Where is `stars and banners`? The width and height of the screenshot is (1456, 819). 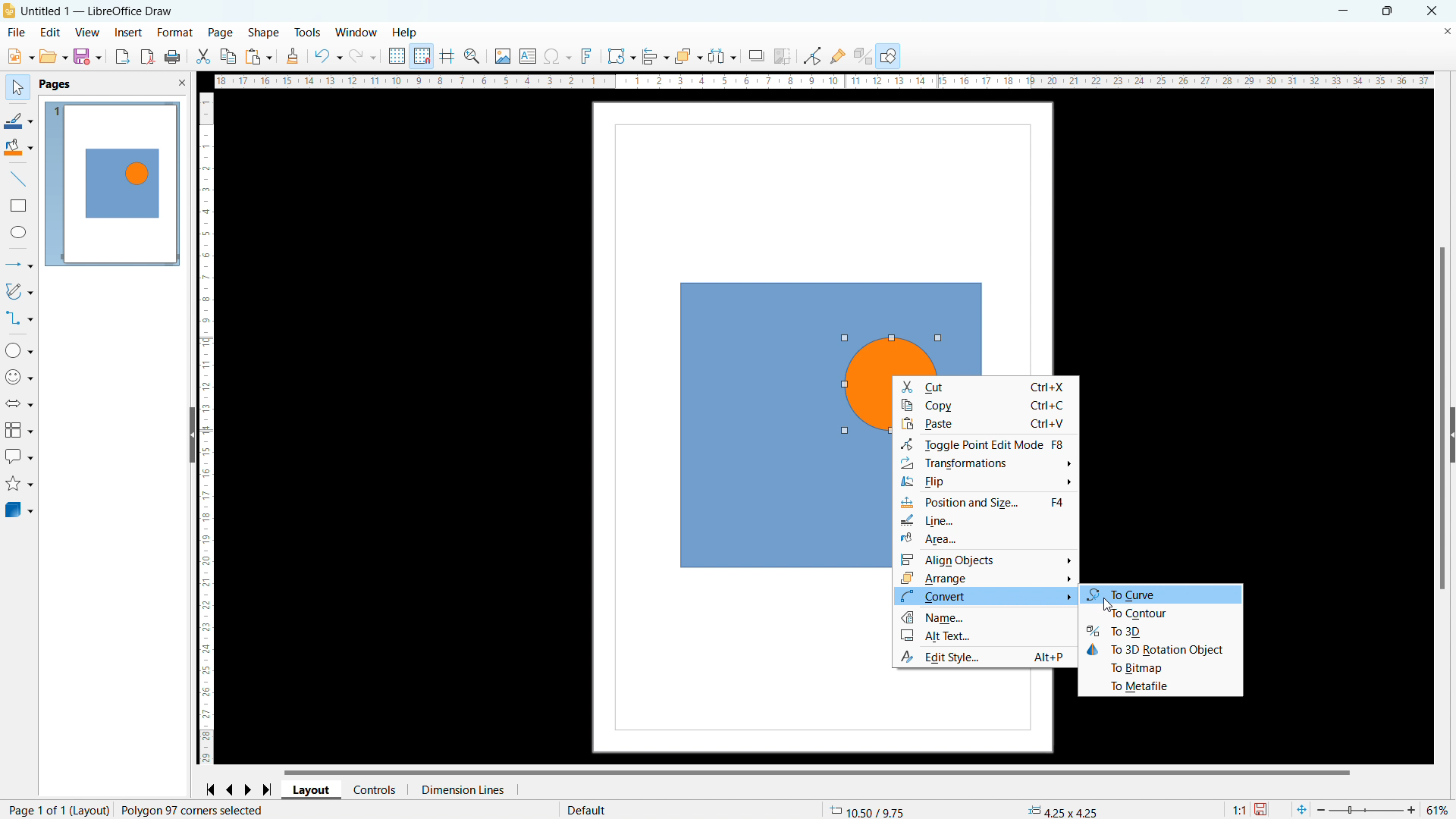 stars and banners is located at coordinates (19, 482).